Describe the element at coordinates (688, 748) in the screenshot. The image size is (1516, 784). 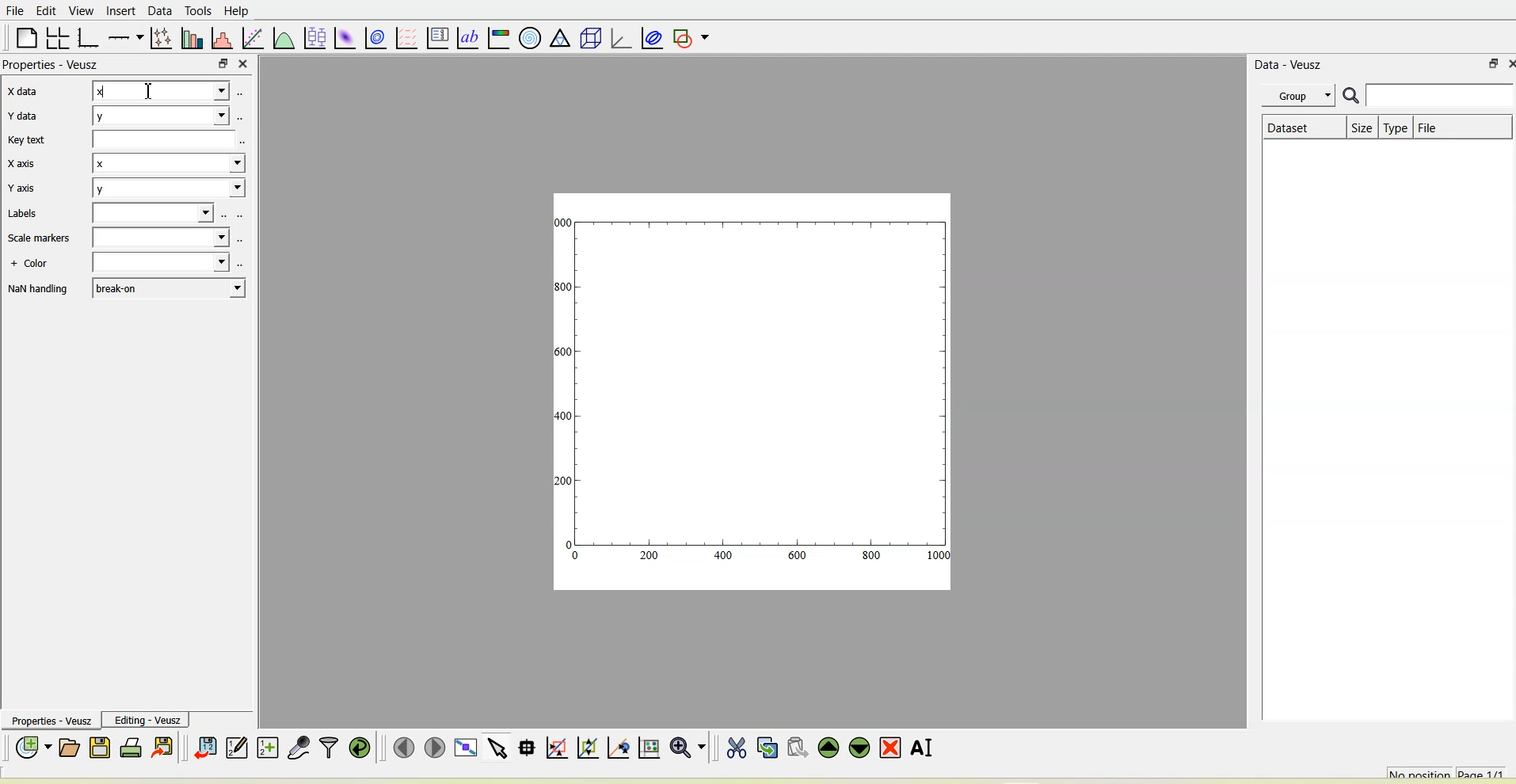
I see `Zoom functions menu` at that location.